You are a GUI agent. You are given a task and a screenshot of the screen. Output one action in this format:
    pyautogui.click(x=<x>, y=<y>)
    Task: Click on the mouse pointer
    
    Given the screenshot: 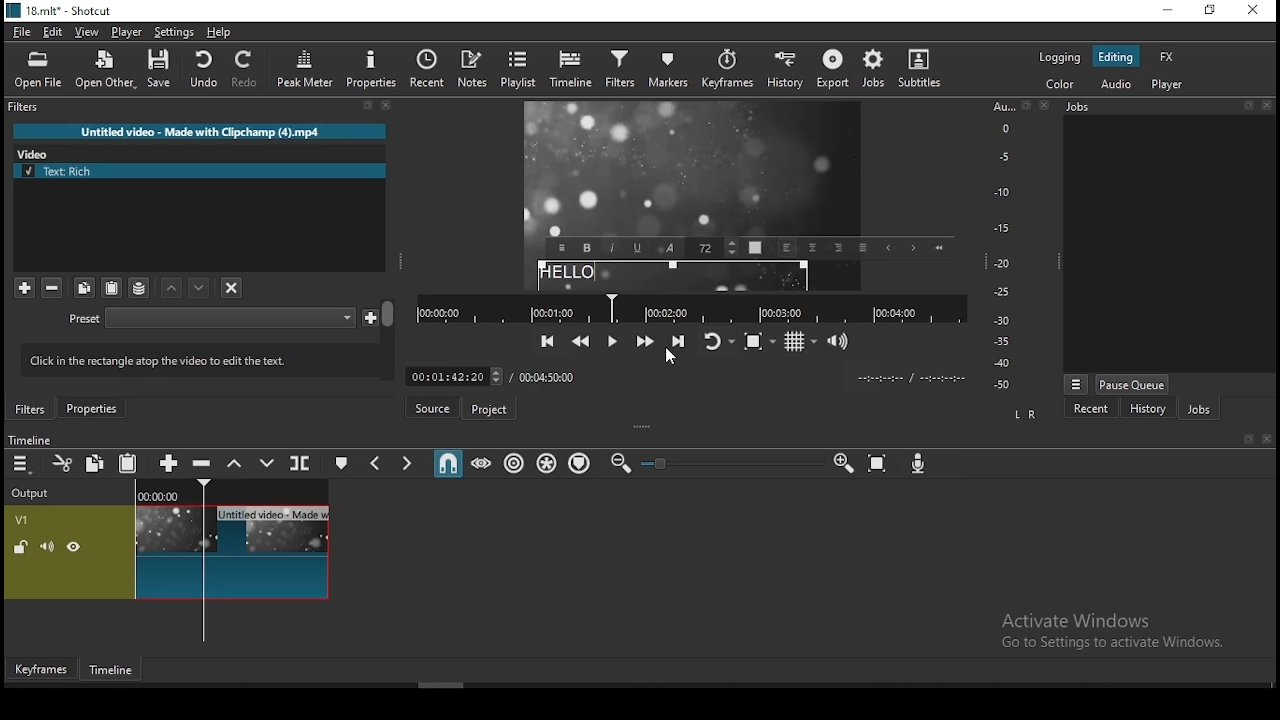 What is the action you would take?
    pyautogui.click(x=670, y=358)
    